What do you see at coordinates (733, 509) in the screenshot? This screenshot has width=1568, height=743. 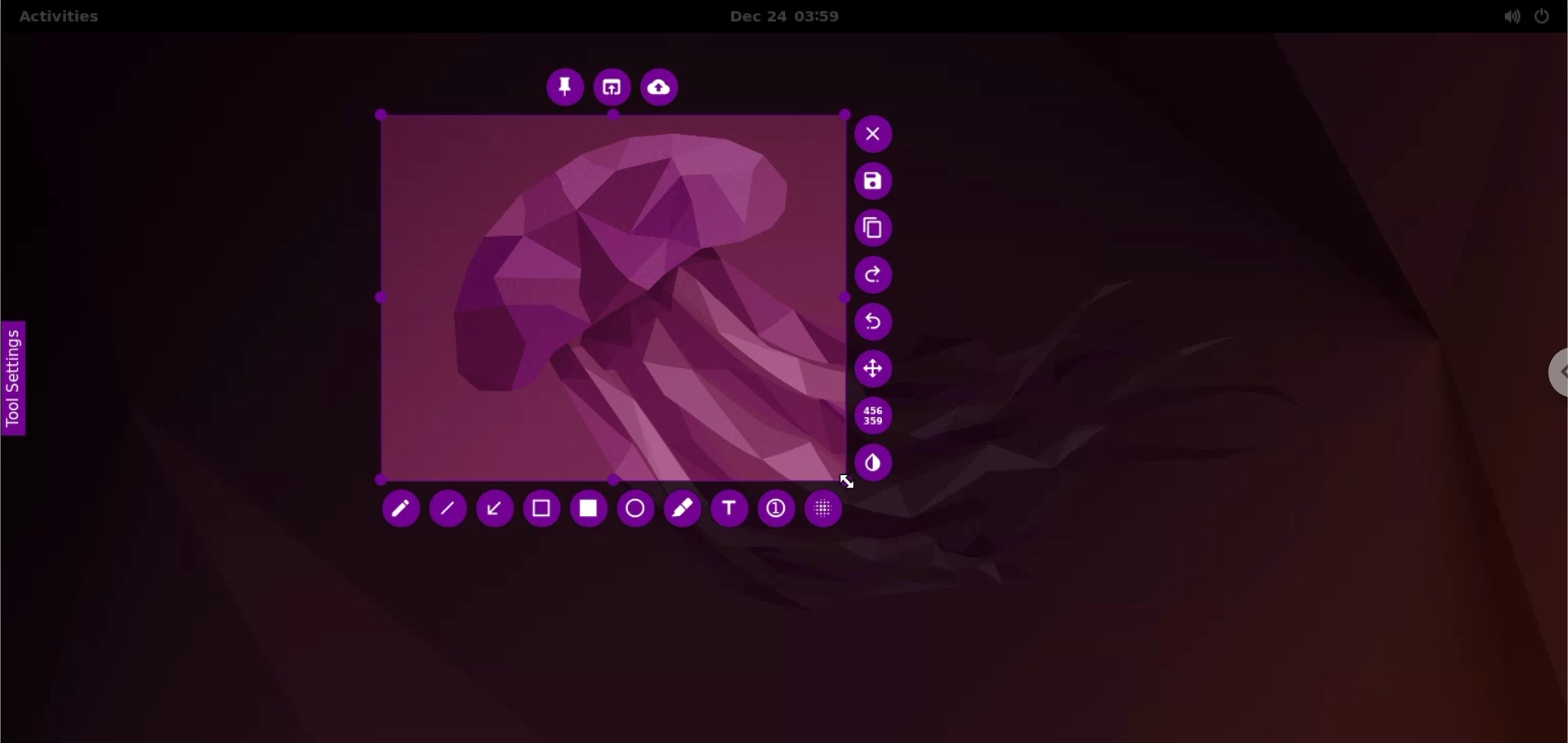 I see `text` at bounding box center [733, 509].